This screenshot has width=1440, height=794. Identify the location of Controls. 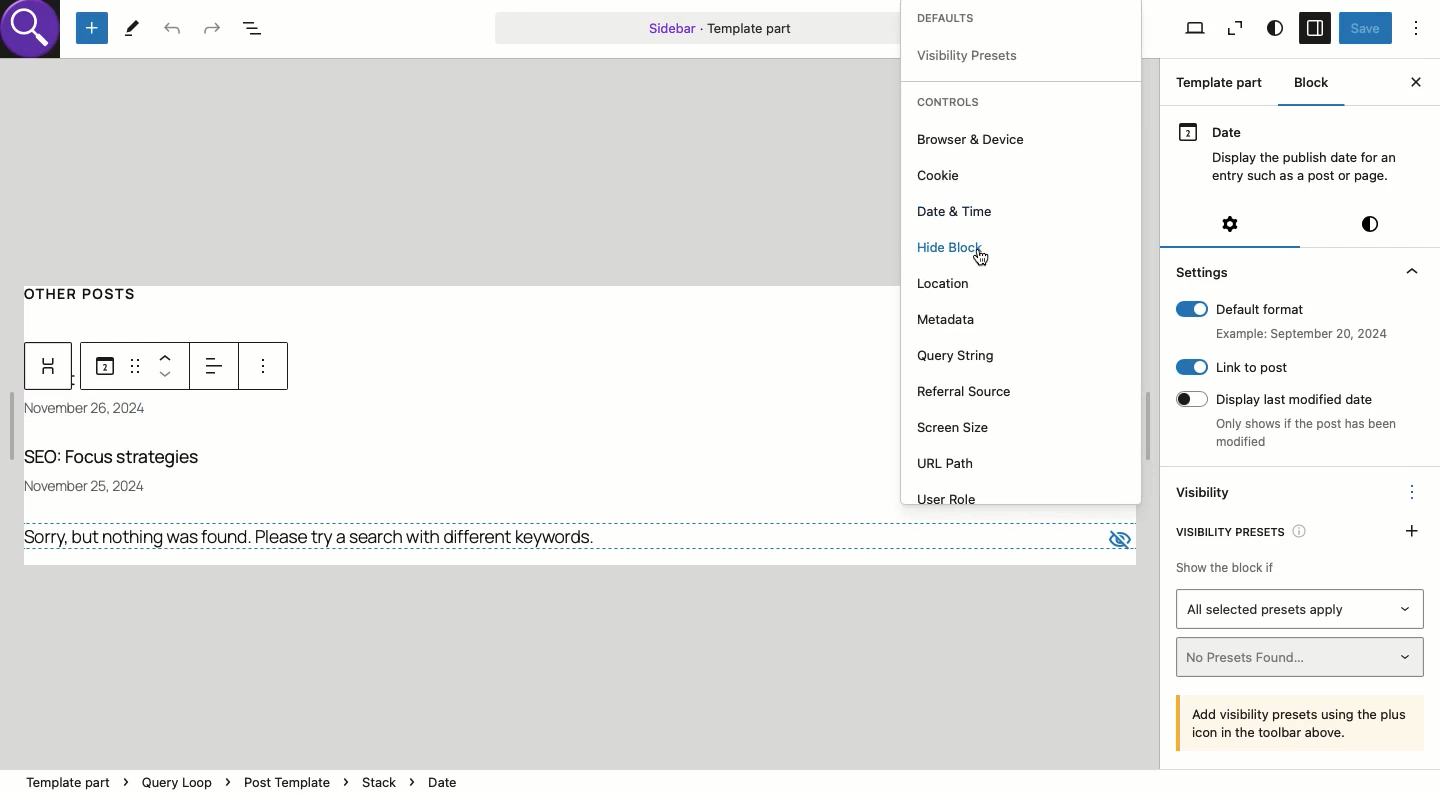
(953, 103).